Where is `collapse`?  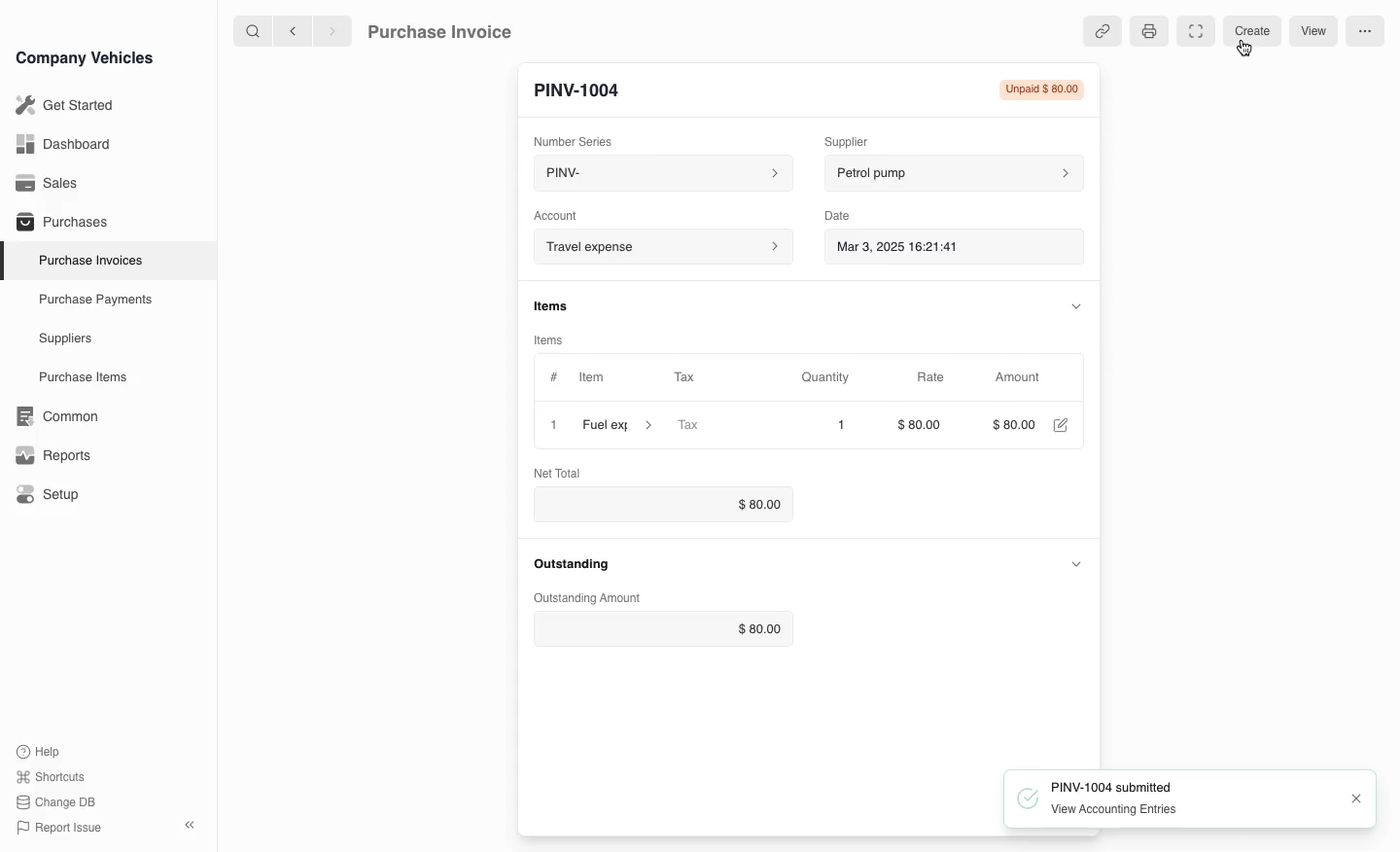
collapse is located at coordinates (1077, 304).